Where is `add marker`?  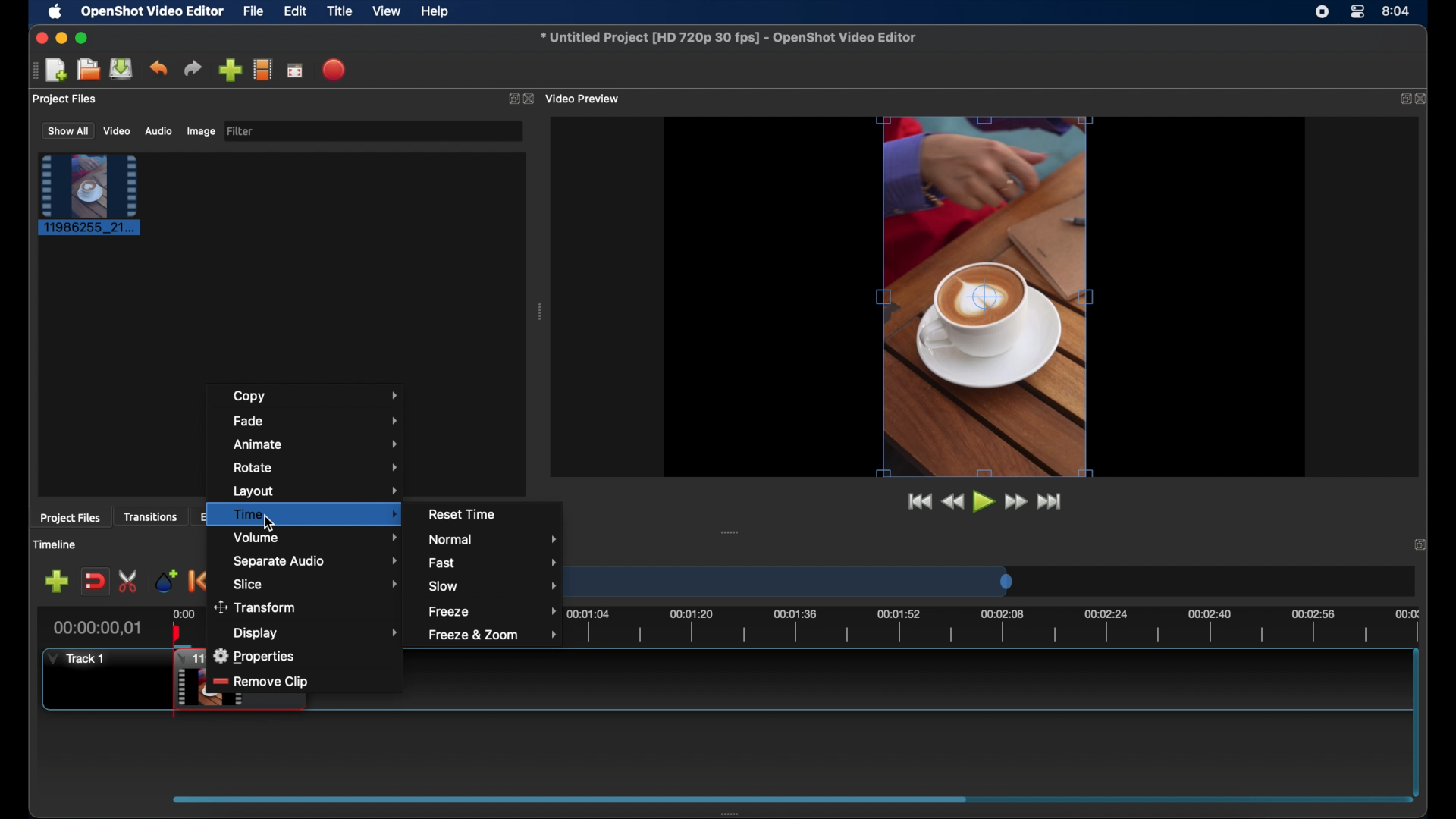
add marker is located at coordinates (167, 581).